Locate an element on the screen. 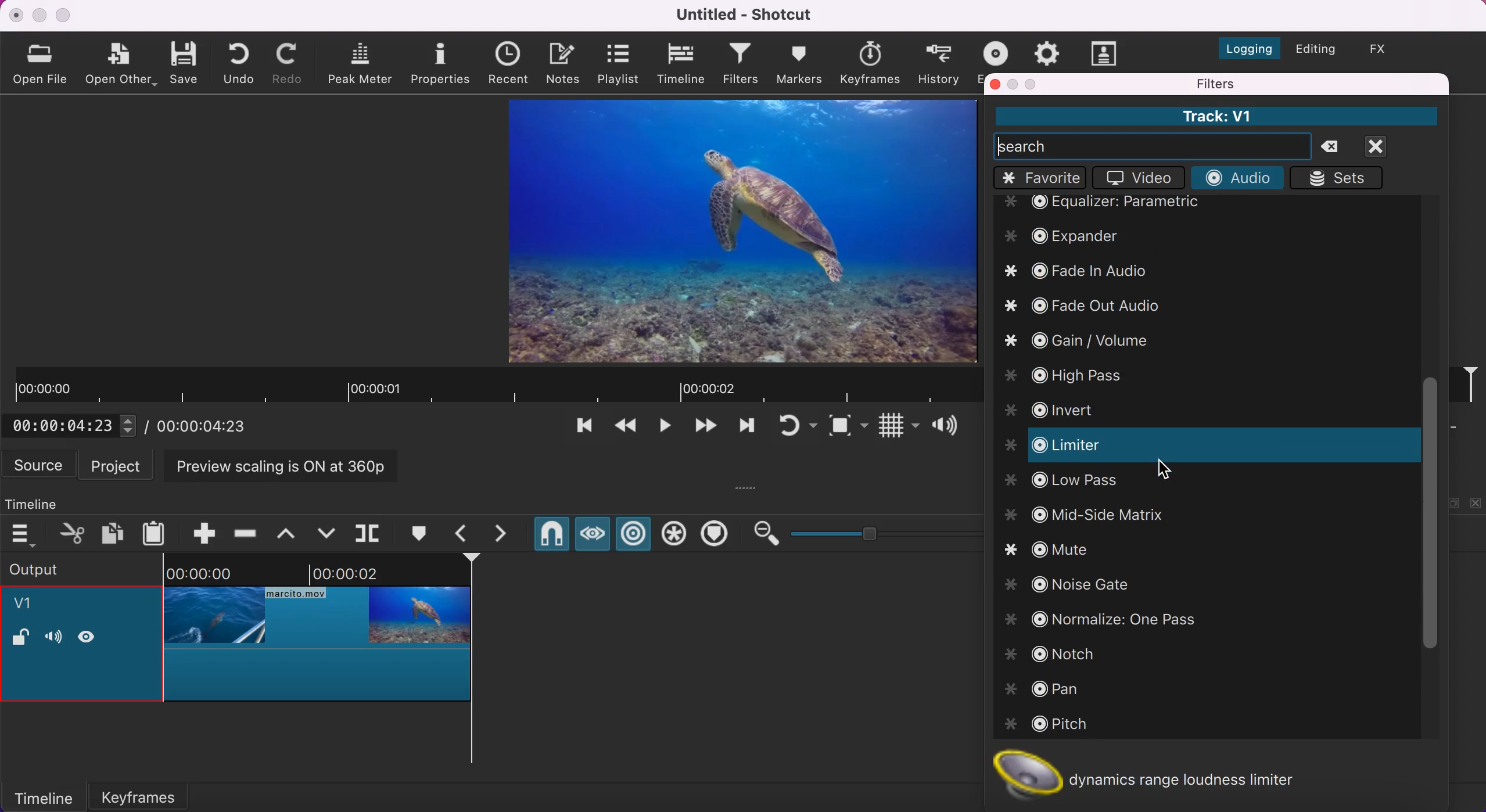 The height and width of the screenshot is (812, 1486). cursor is located at coordinates (1165, 468).